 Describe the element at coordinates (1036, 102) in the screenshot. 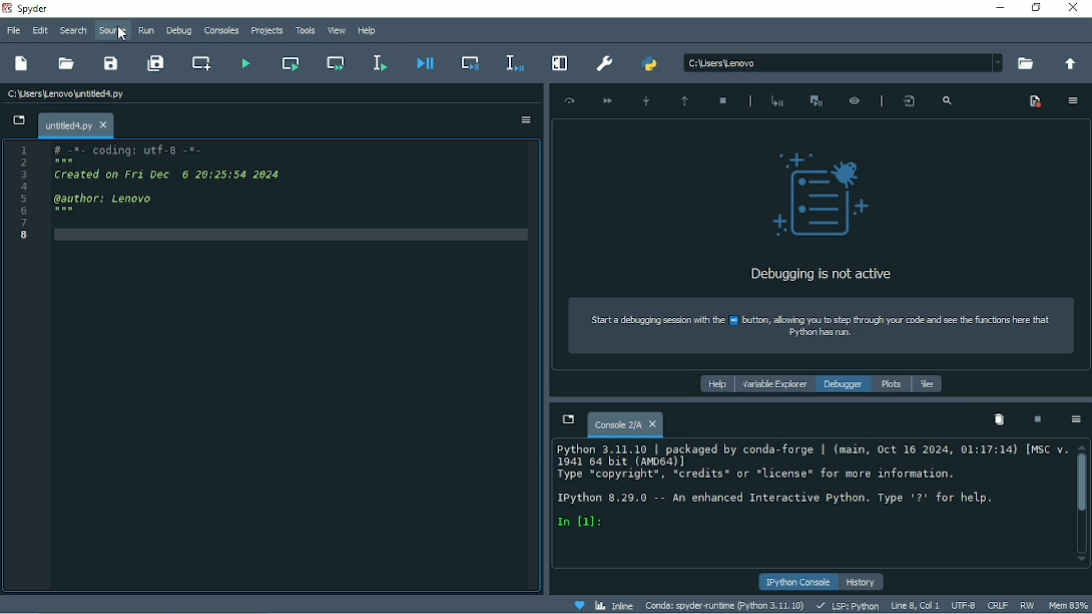

I see `Show breakpoints` at that location.